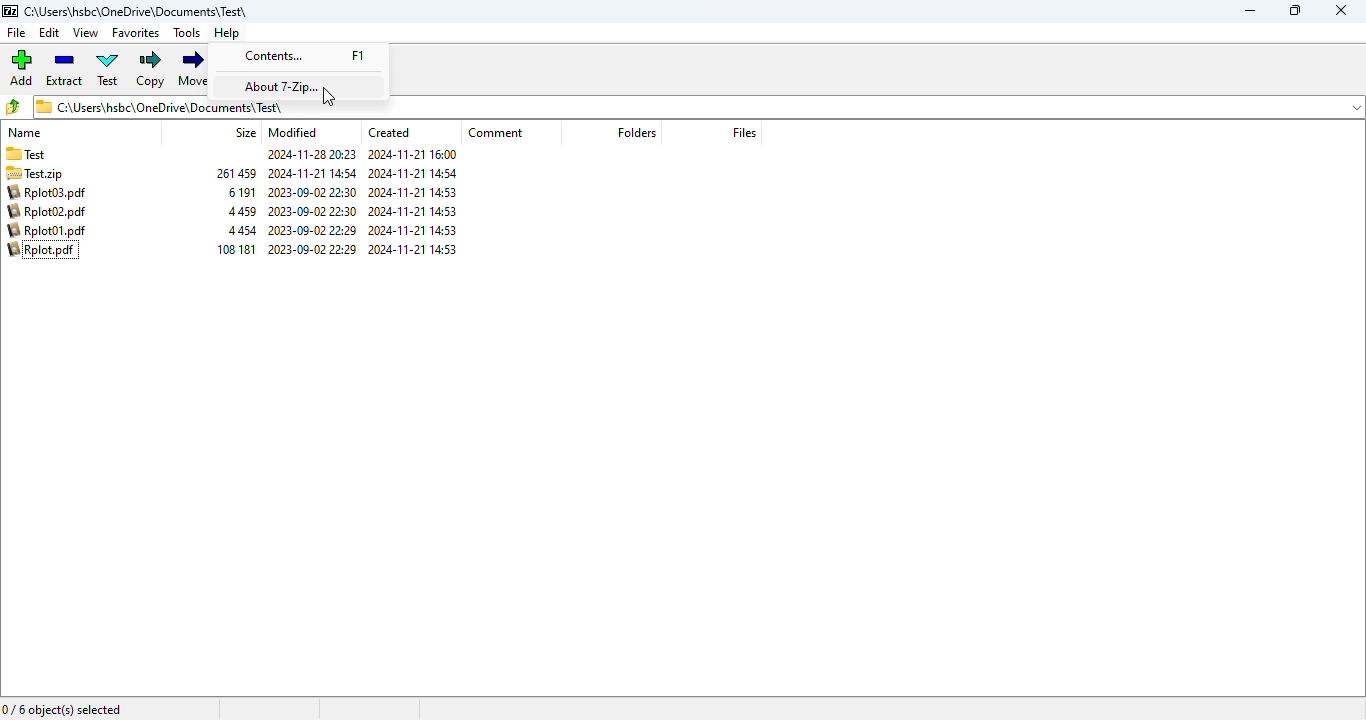 The width and height of the screenshot is (1366, 720). Describe the element at coordinates (47, 193) in the screenshot. I see `Rplot03.pdf ` at that location.